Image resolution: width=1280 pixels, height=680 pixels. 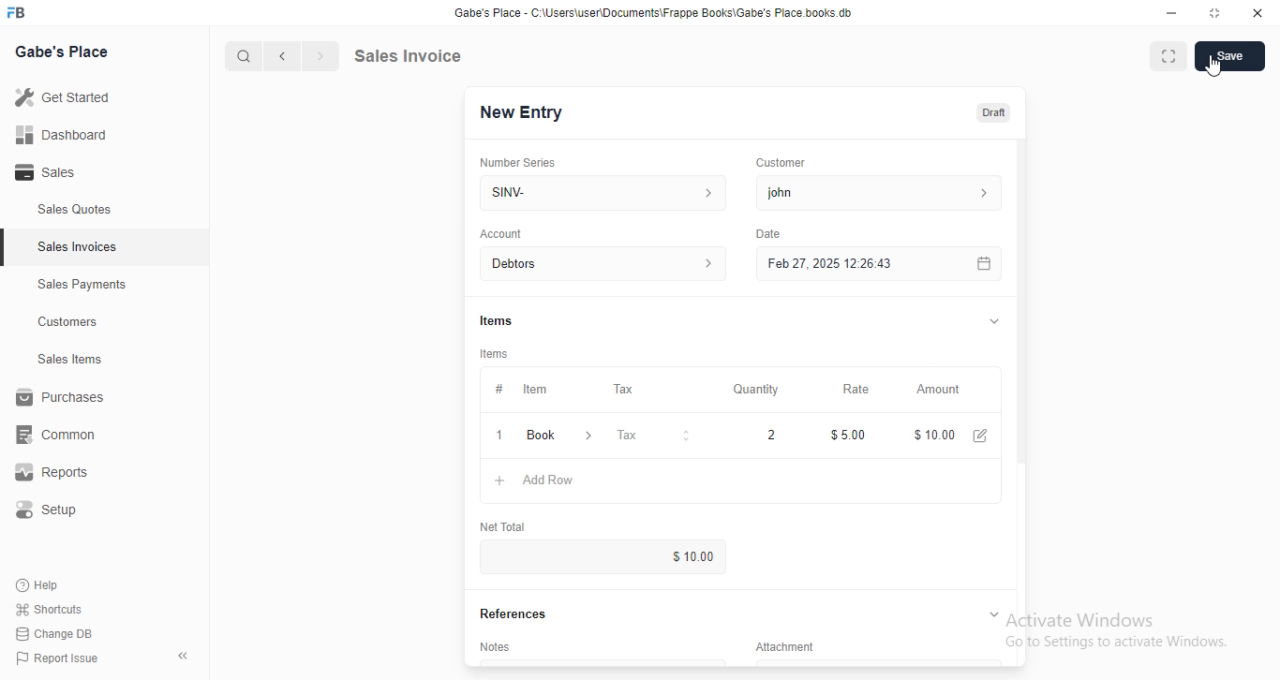 I want to click on References, so click(x=510, y=615).